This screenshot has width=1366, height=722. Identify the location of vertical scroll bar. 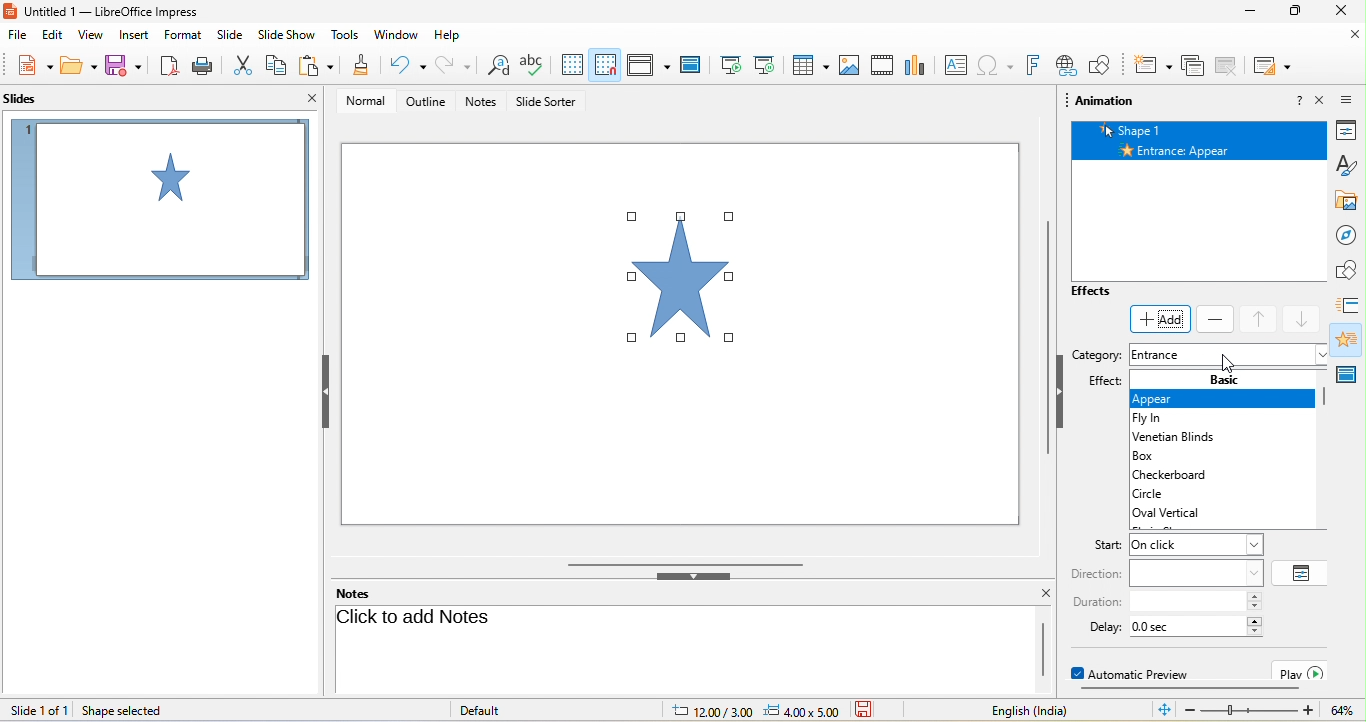
(1327, 402).